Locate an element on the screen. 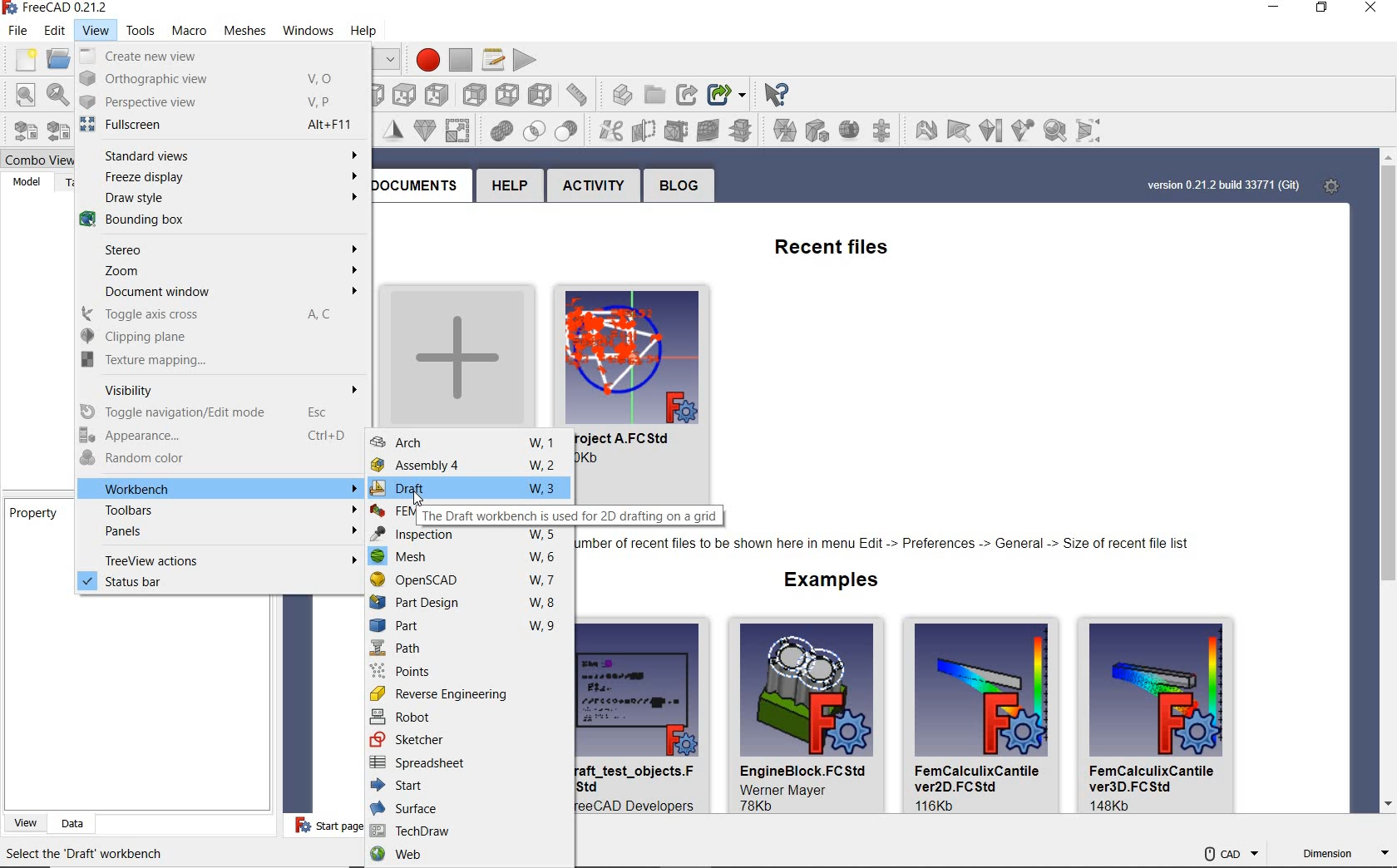 The image size is (1397, 868). visibility is located at coordinates (218, 388).